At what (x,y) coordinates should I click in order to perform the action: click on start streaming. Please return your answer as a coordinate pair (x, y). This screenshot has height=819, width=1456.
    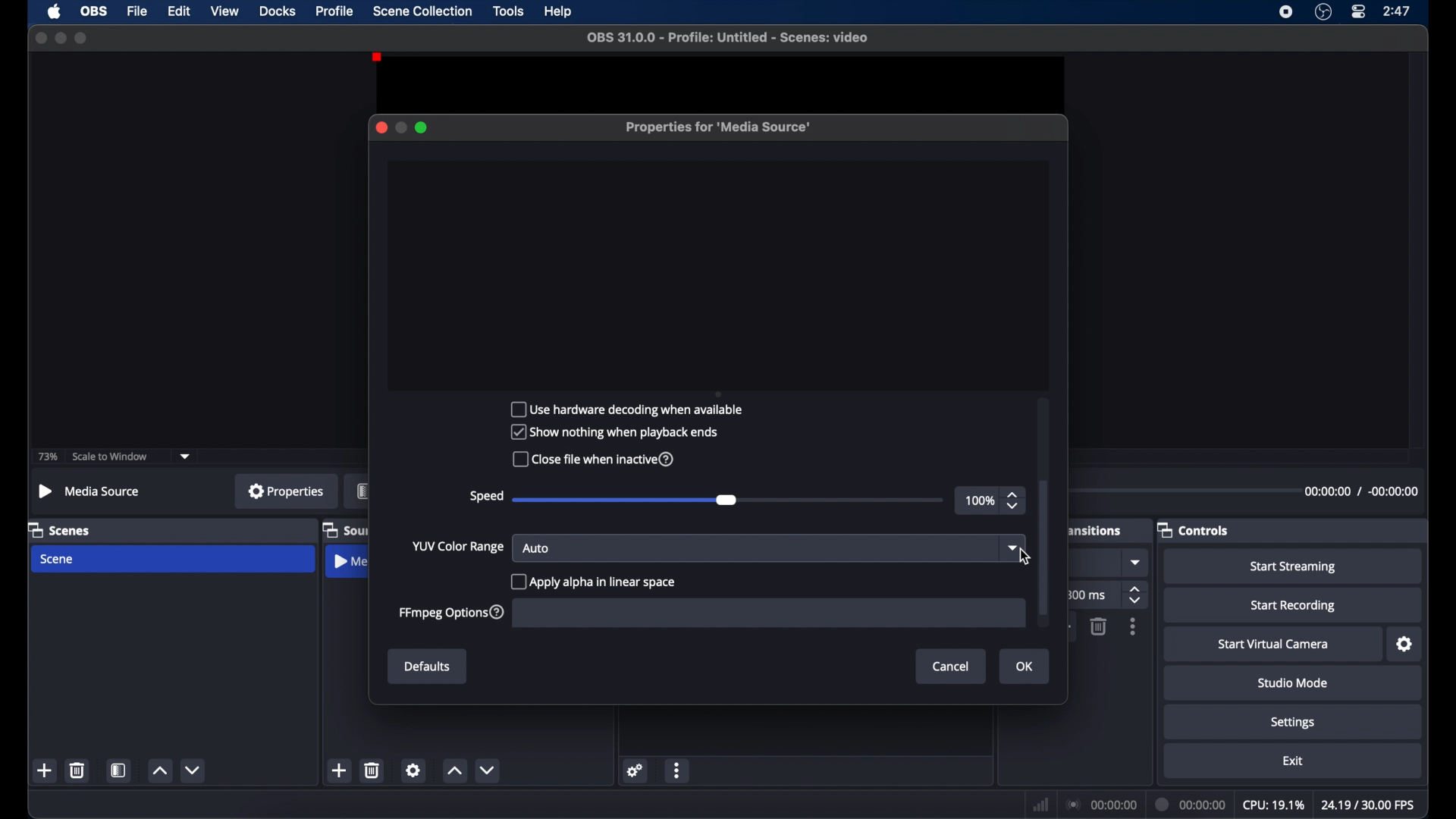
    Looking at the image, I should click on (1292, 566).